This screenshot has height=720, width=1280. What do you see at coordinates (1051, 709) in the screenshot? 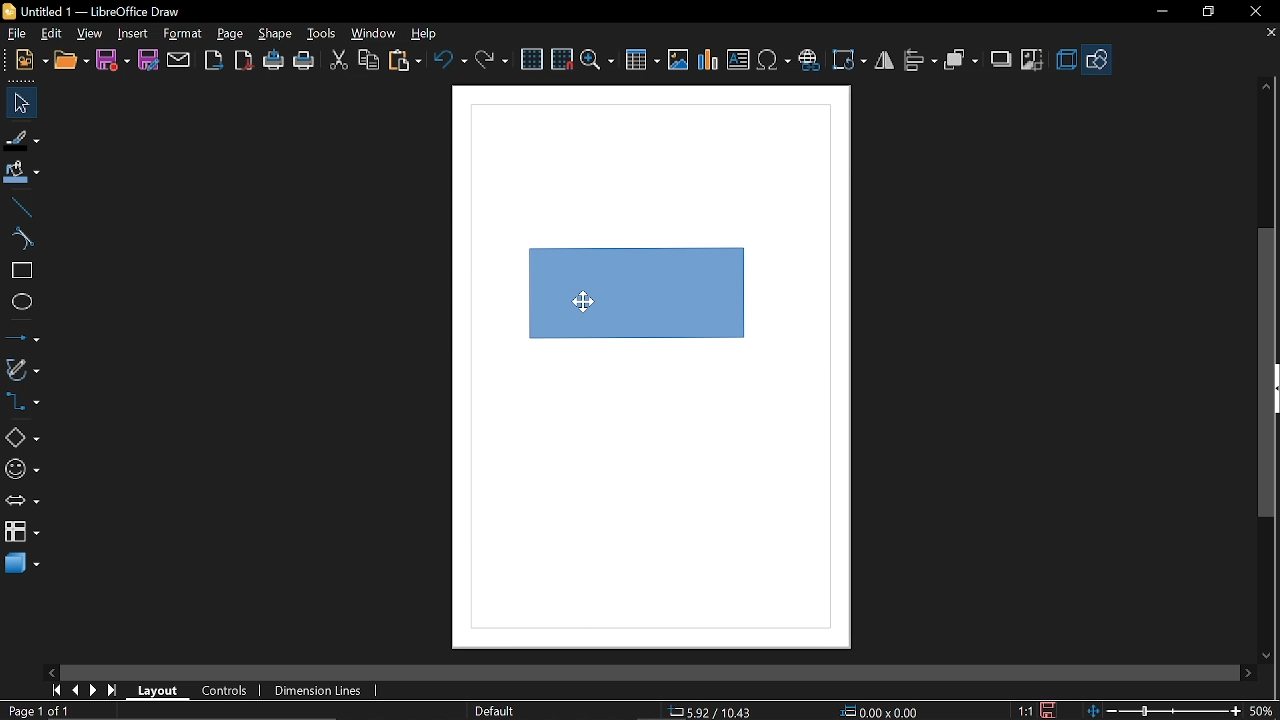
I see `save` at bounding box center [1051, 709].